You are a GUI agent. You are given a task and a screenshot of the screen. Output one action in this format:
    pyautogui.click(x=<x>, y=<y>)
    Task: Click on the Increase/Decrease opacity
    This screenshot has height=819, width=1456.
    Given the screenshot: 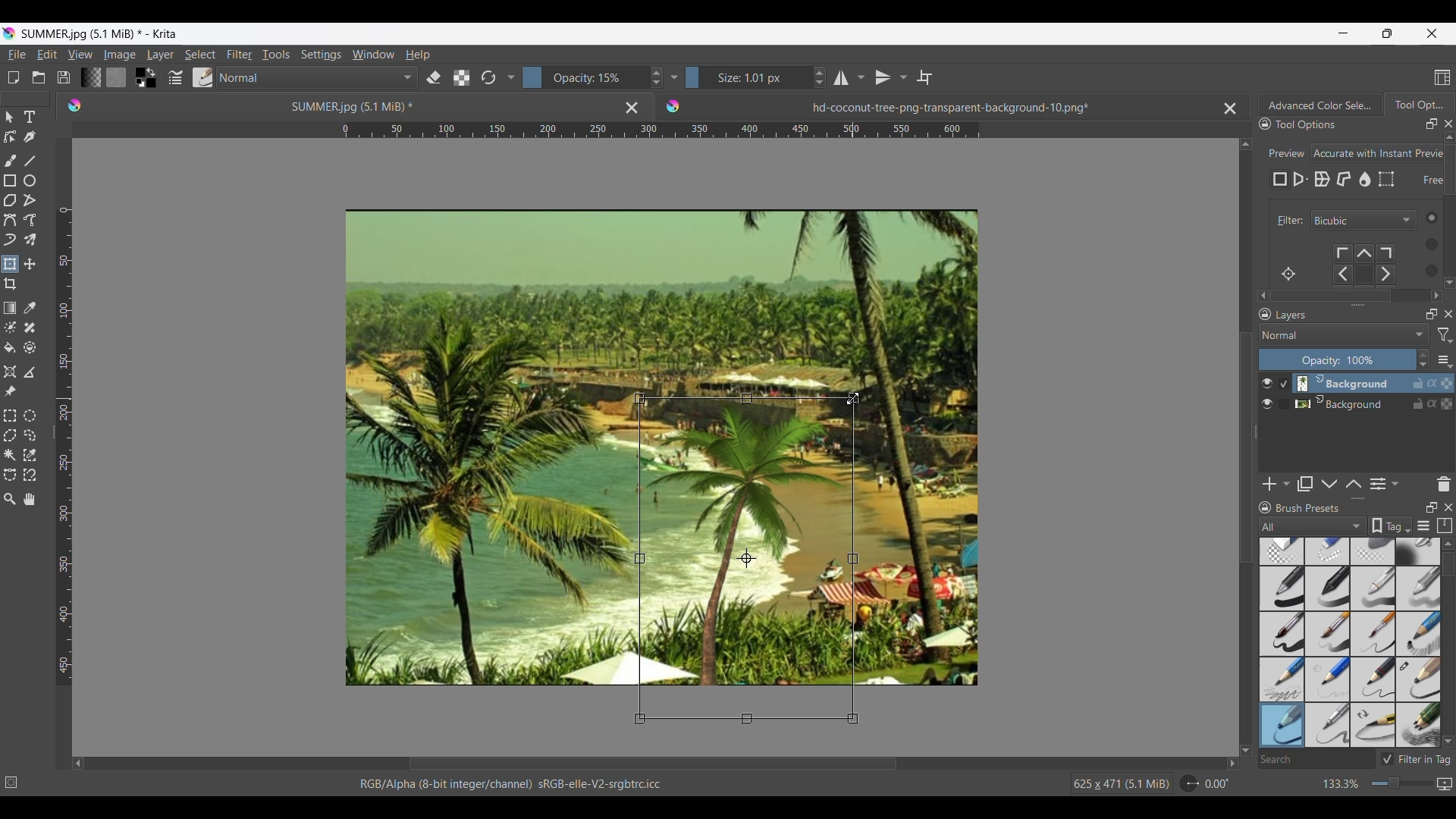 What is the action you would take?
    pyautogui.click(x=1345, y=359)
    